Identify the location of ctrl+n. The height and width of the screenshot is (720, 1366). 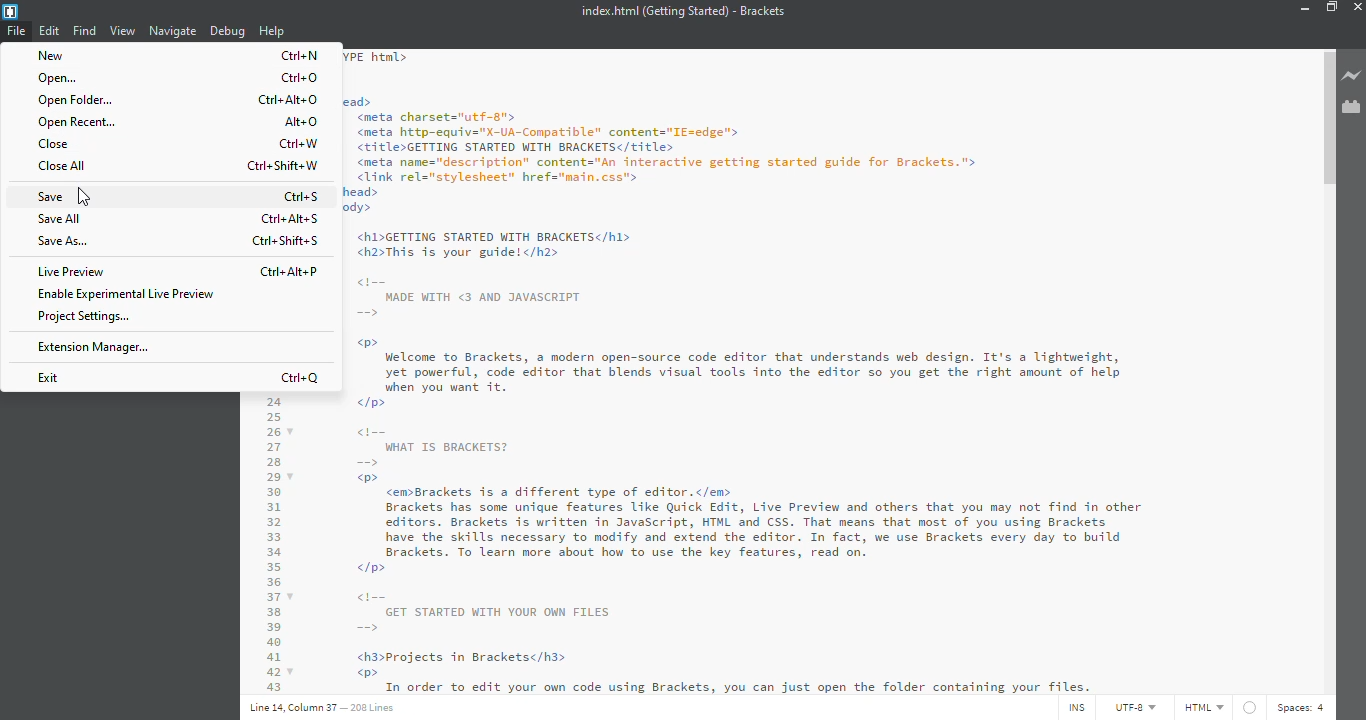
(301, 55).